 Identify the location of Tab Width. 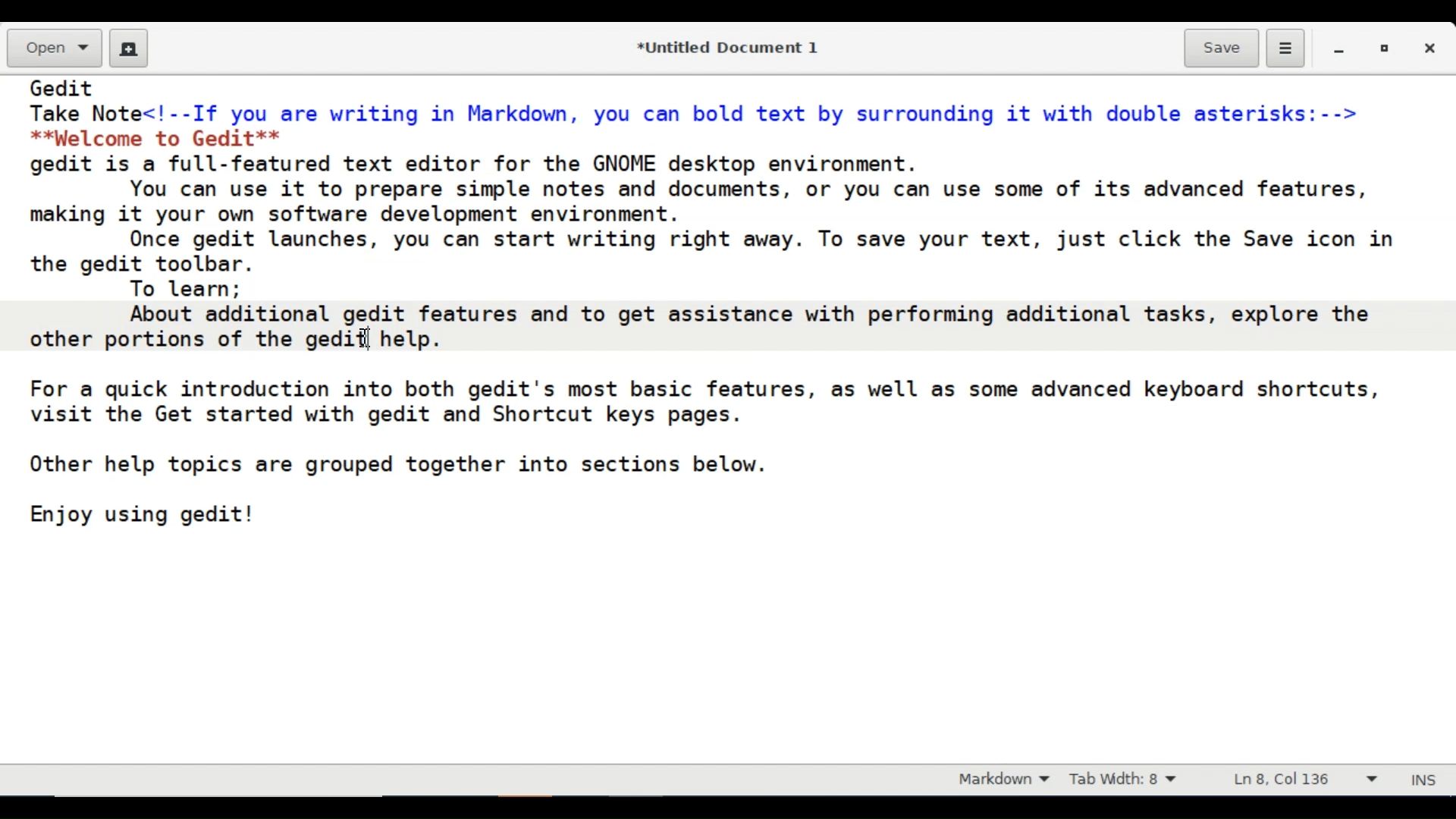
(1134, 780).